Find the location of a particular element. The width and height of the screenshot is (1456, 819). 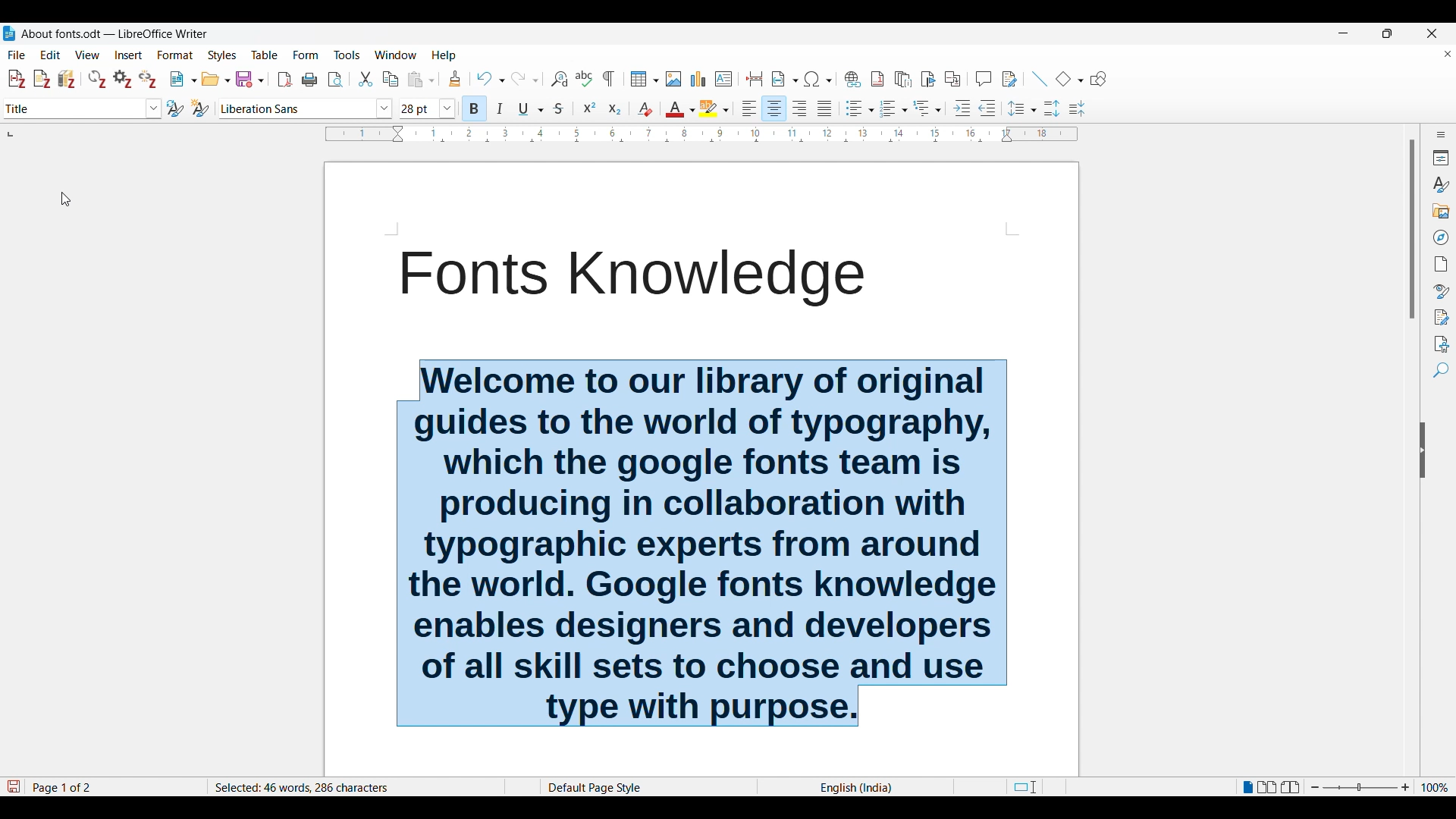

Update selected style is located at coordinates (175, 108).